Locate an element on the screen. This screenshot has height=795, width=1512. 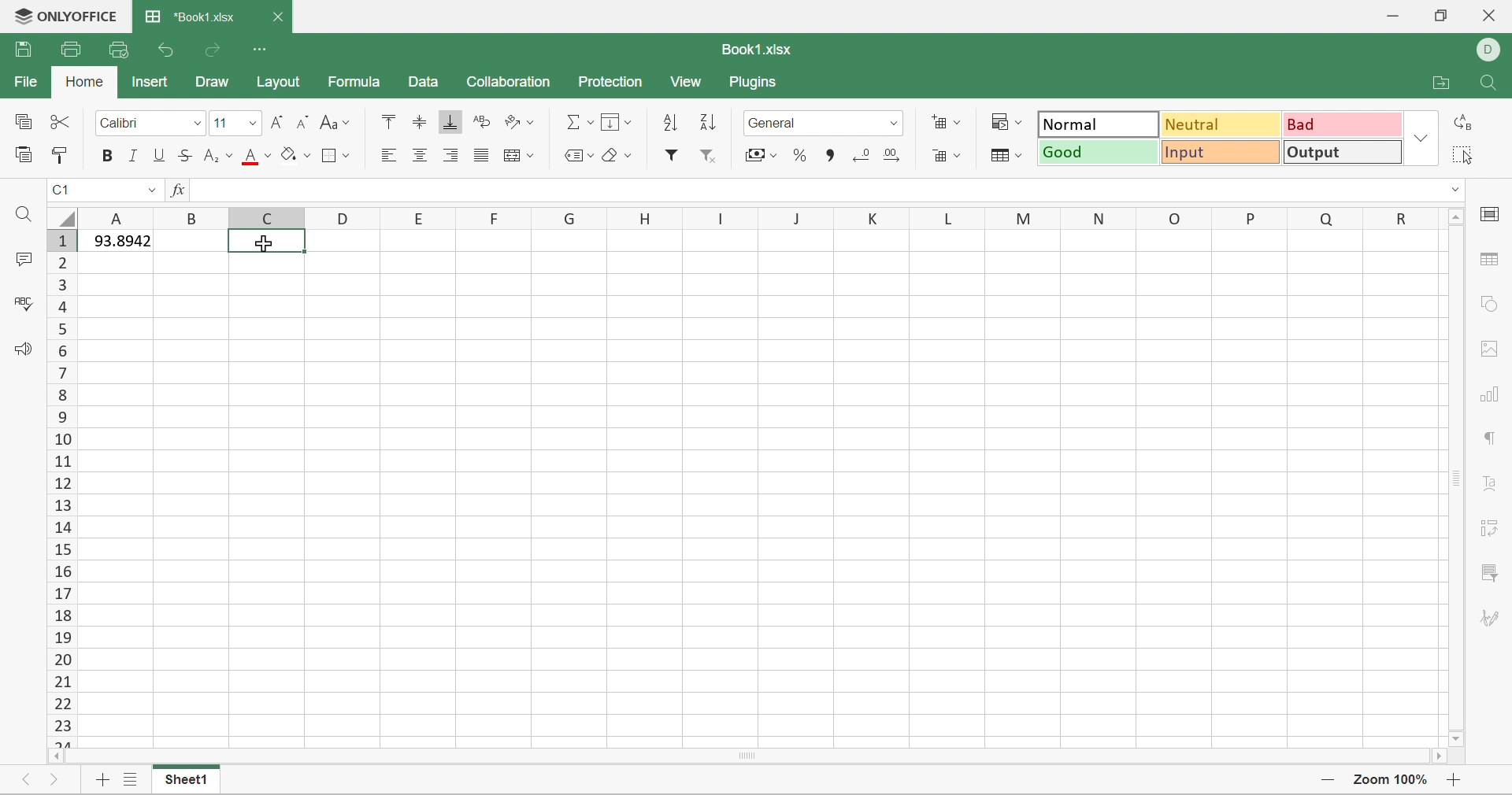
Insert is located at coordinates (150, 81).